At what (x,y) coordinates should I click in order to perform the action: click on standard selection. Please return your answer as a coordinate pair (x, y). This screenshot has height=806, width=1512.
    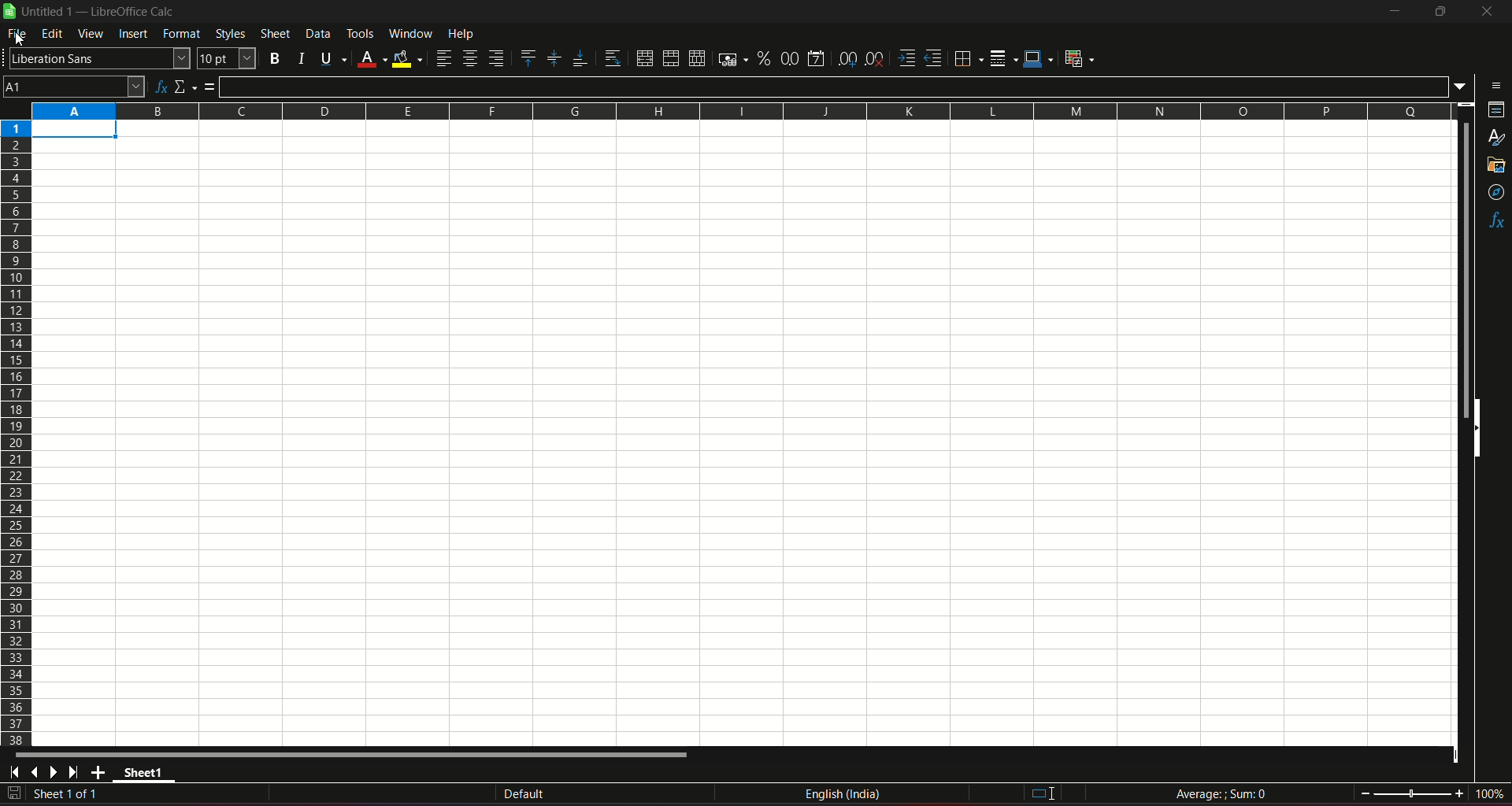
    Looking at the image, I should click on (1040, 793).